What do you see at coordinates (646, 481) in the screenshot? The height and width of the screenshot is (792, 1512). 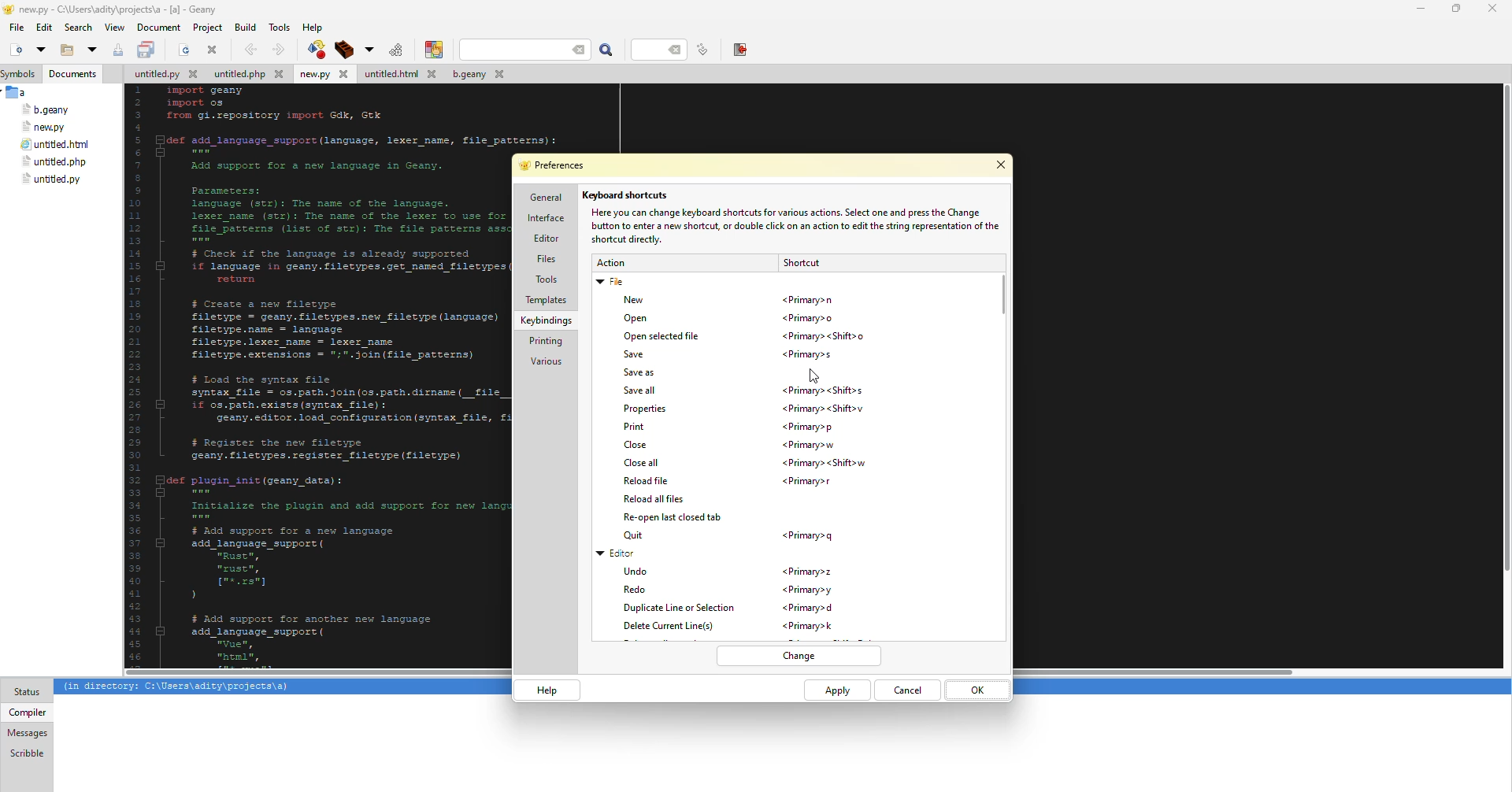 I see `reload` at bounding box center [646, 481].